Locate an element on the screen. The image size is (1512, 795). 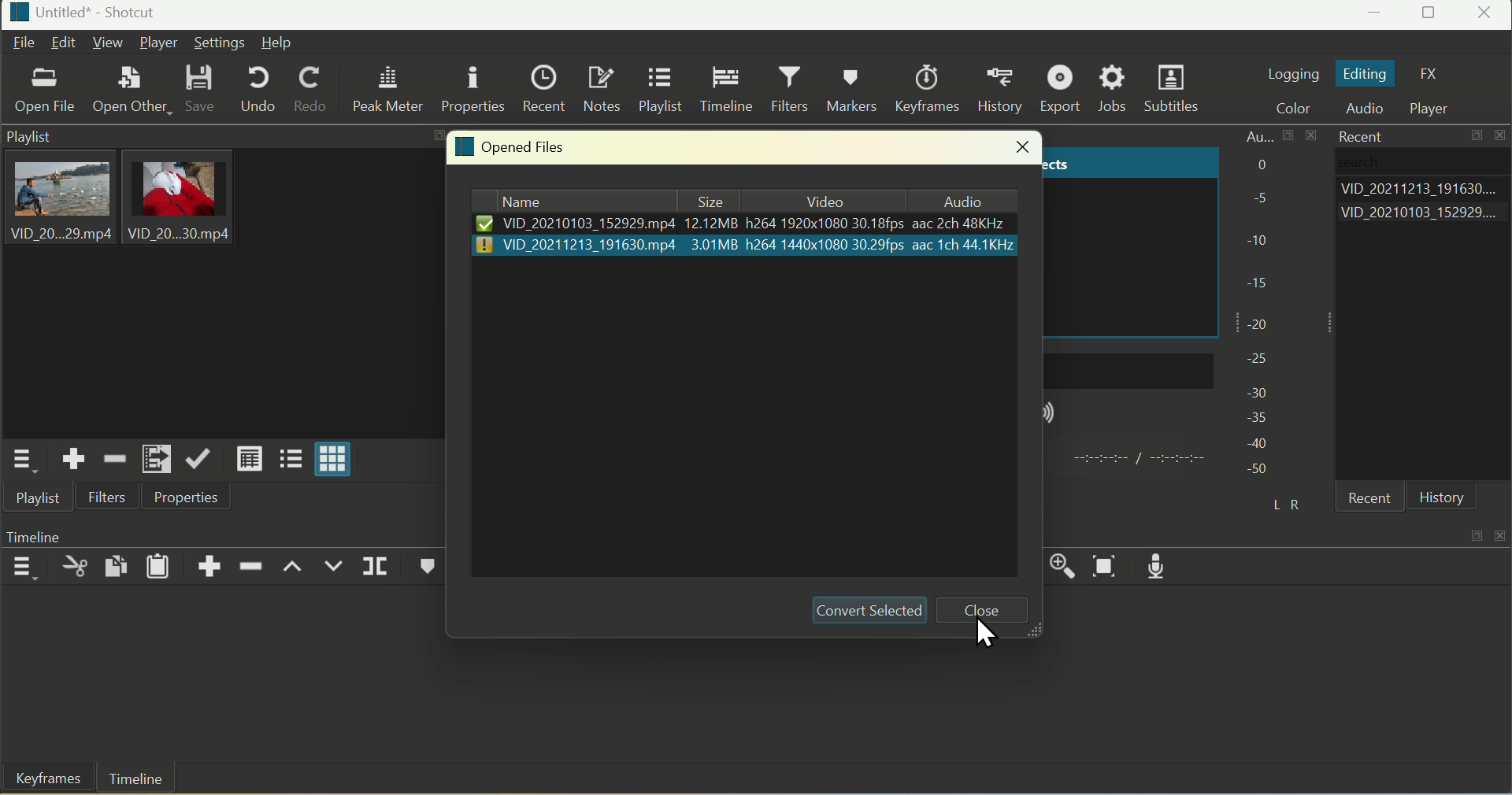
Logging is located at coordinates (1292, 72).